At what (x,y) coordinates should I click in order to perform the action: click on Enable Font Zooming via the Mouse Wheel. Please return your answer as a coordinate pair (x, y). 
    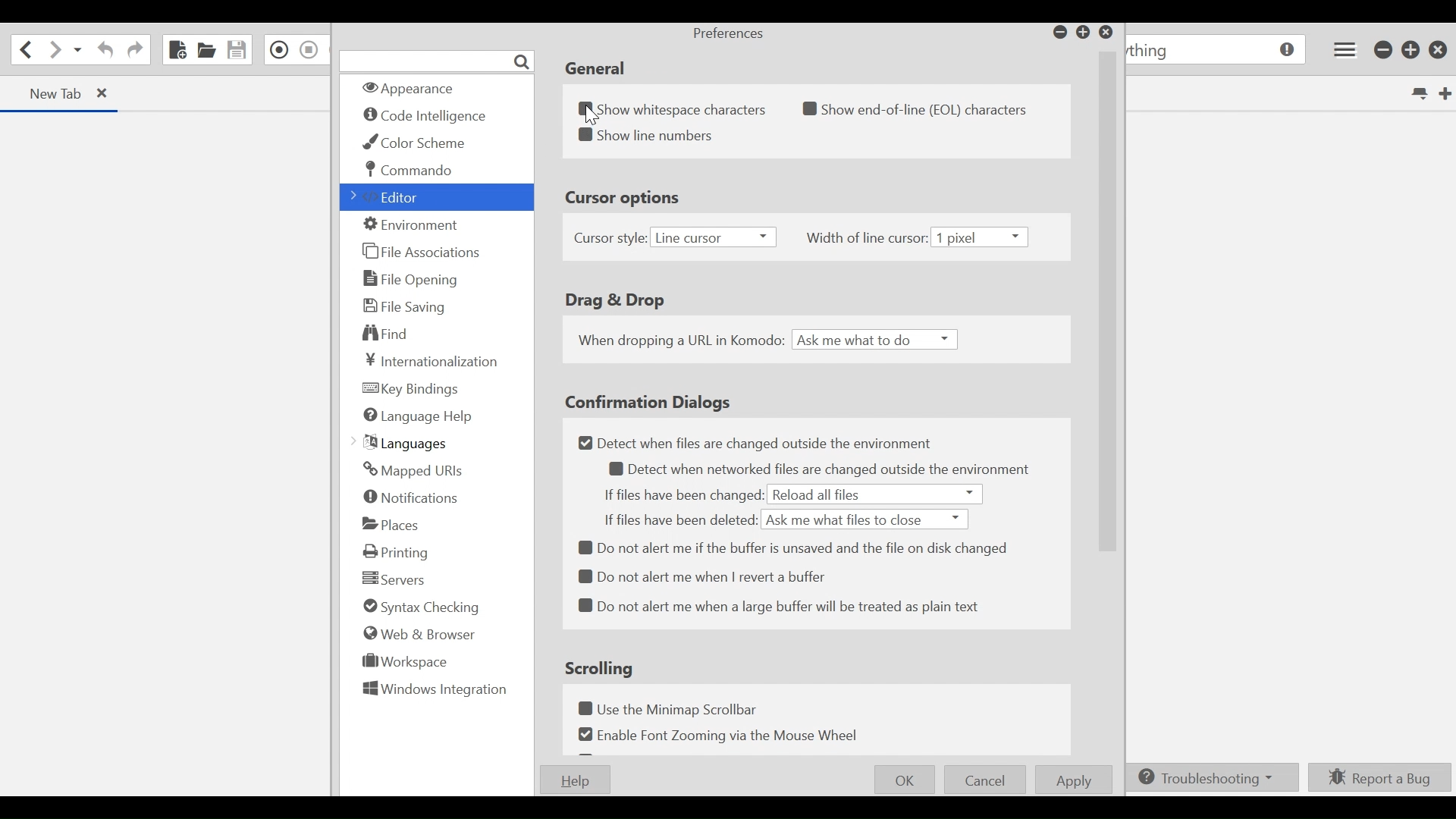
    Looking at the image, I should click on (722, 736).